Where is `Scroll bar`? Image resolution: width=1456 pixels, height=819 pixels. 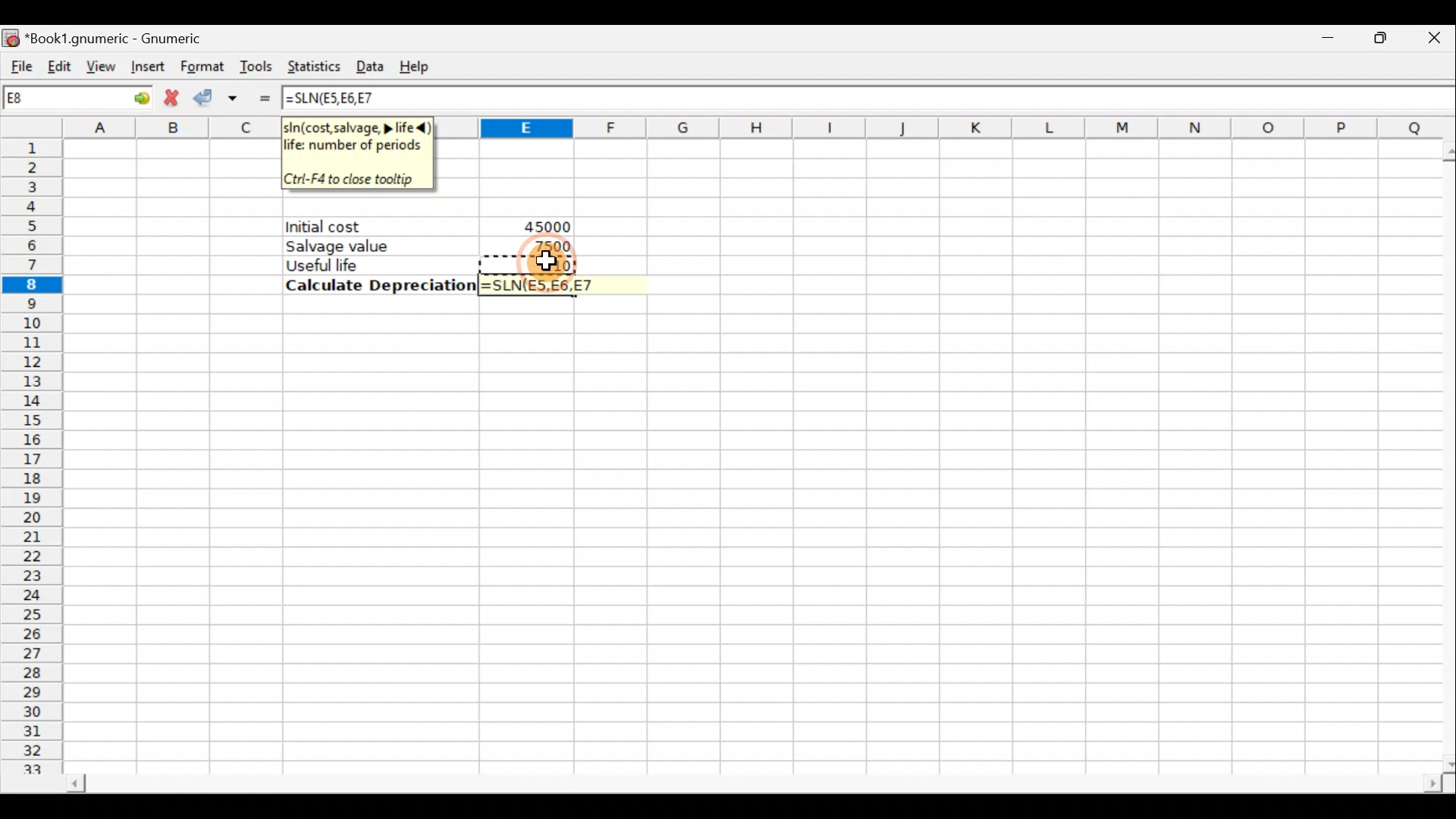 Scroll bar is located at coordinates (1442, 452).